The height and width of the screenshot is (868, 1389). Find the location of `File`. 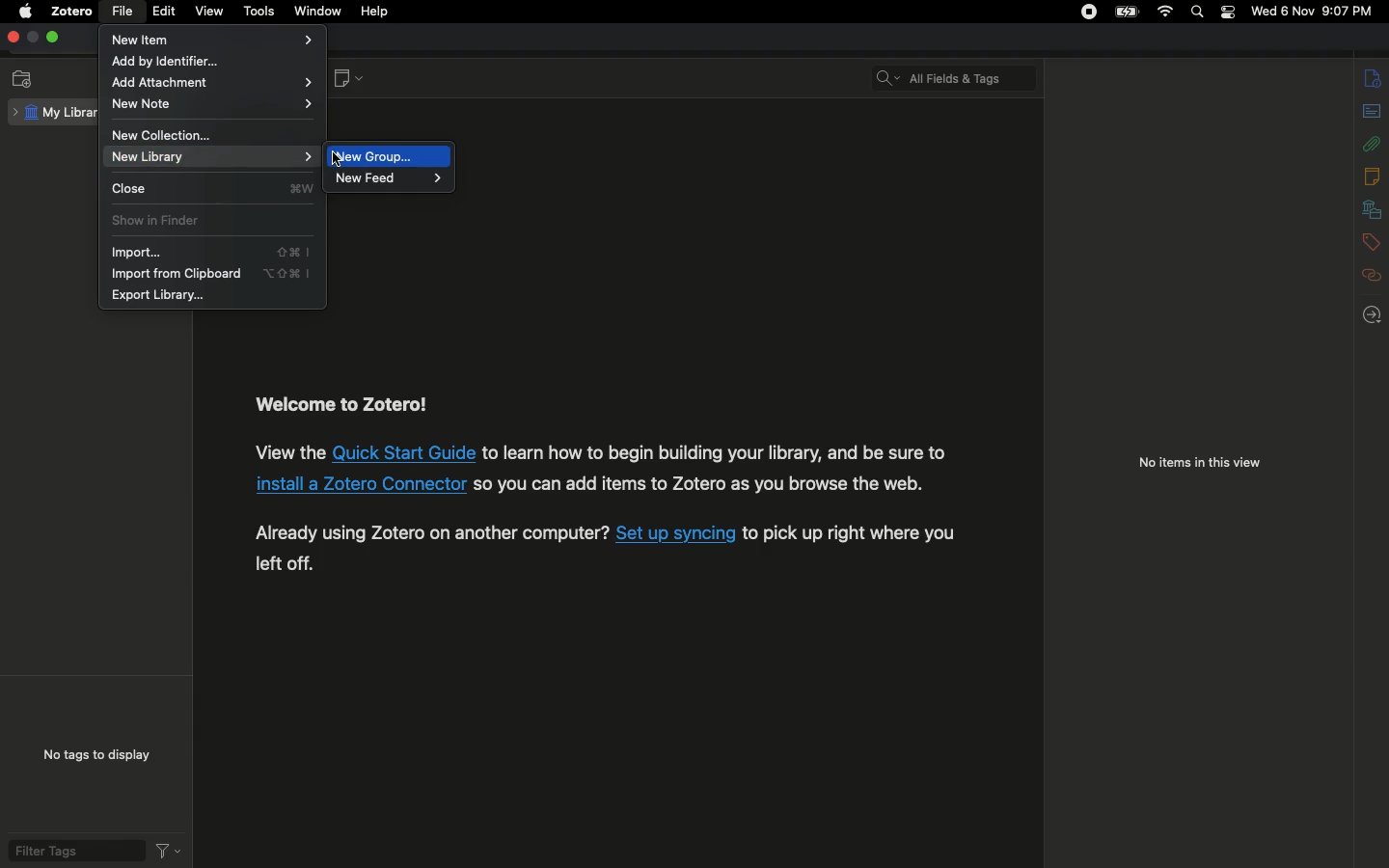

File is located at coordinates (125, 12).